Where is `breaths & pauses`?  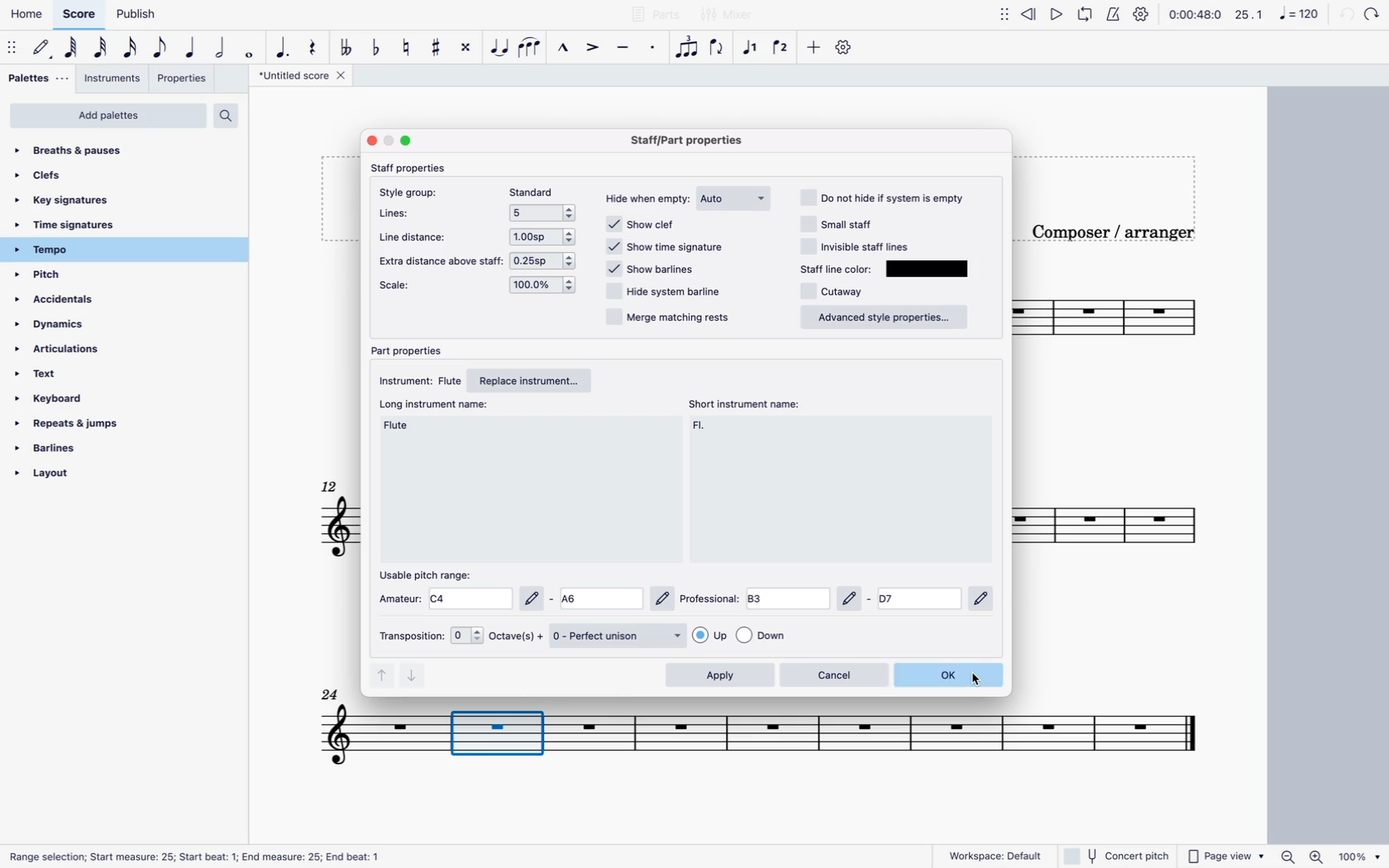 breaths & pauses is located at coordinates (80, 150).